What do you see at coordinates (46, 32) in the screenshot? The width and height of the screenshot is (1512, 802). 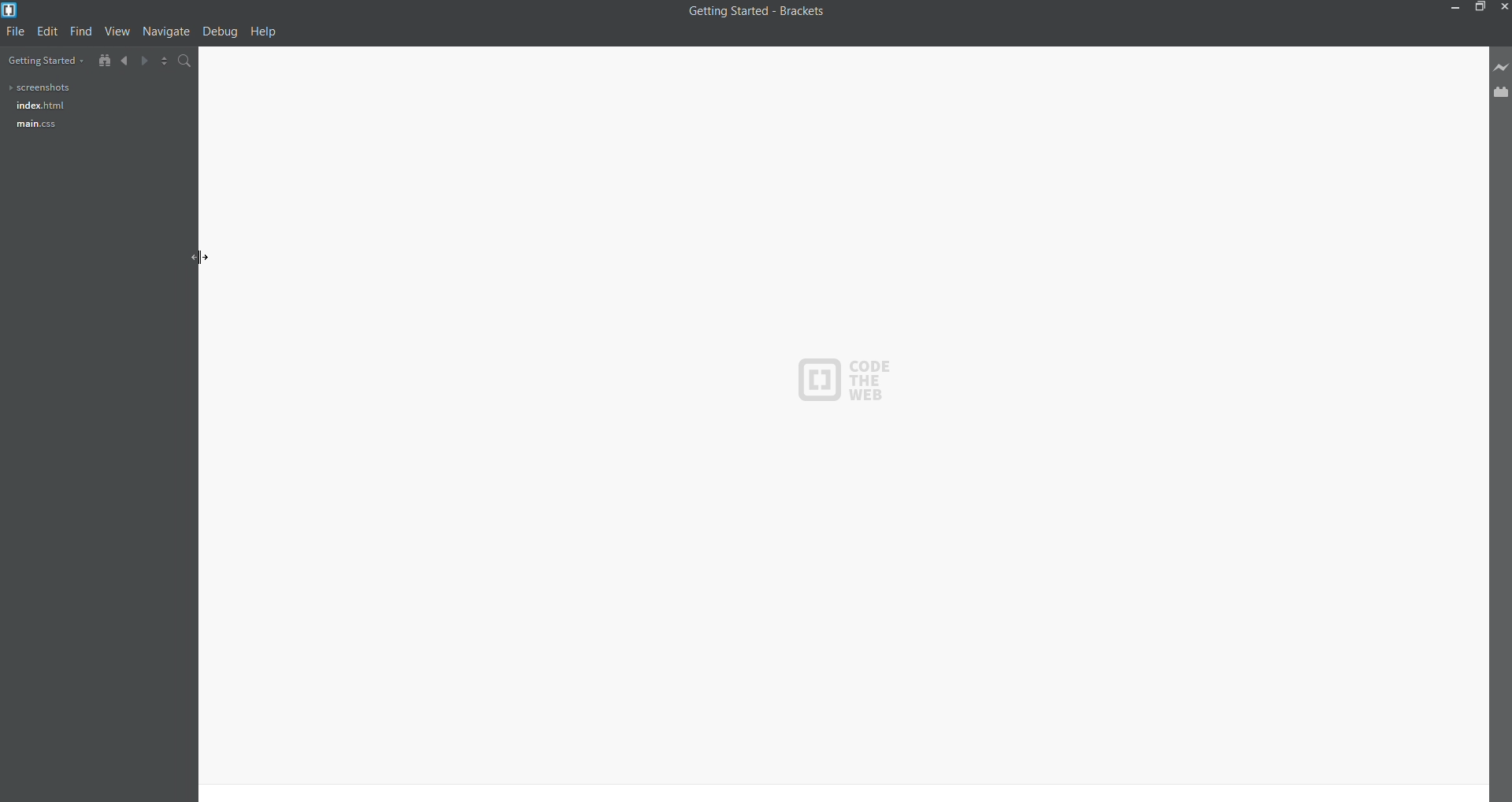 I see `edit` at bounding box center [46, 32].